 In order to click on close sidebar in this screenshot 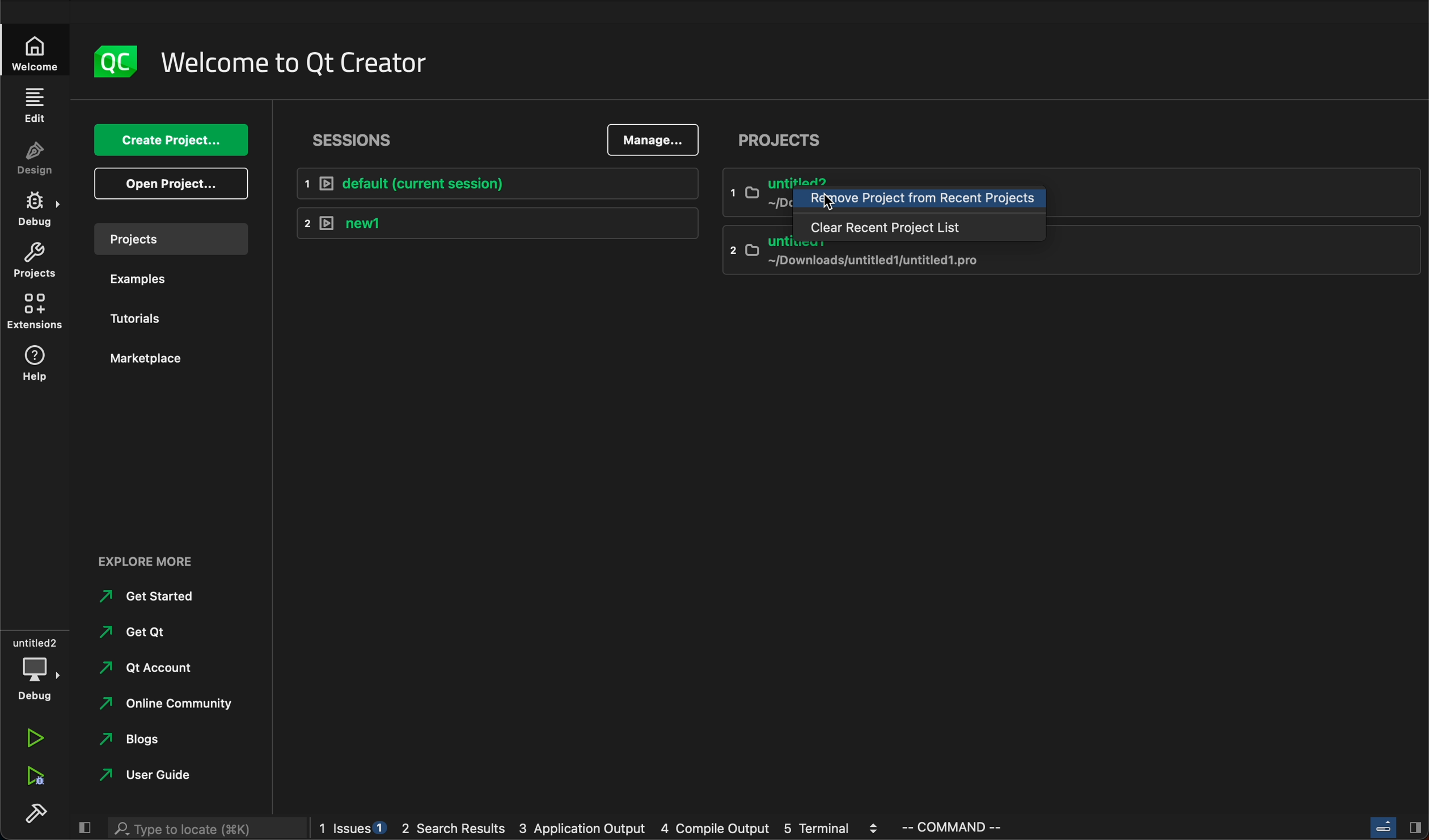, I will do `click(1397, 829)`.